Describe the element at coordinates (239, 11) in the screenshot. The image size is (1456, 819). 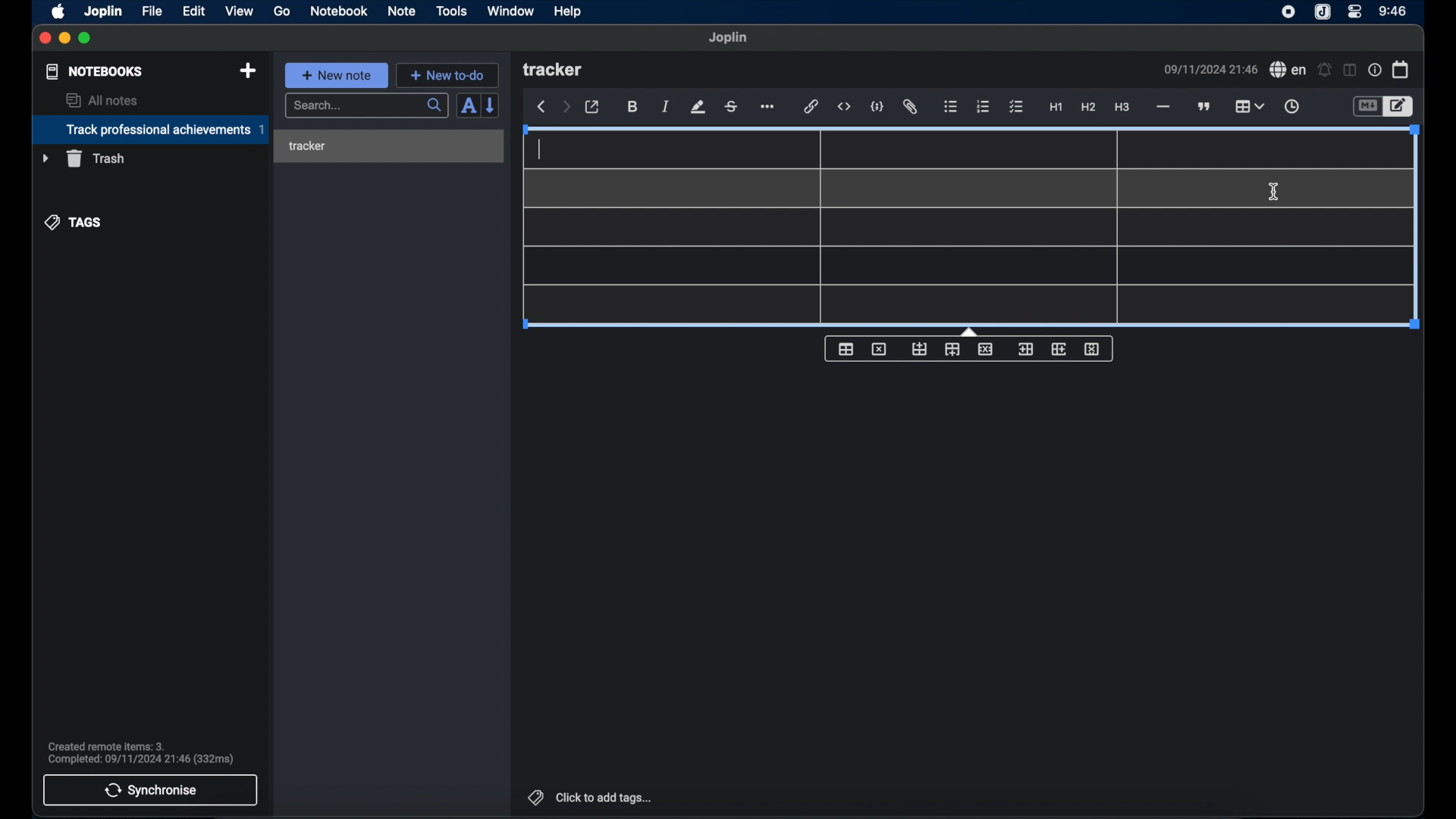
I see `view` at that location.